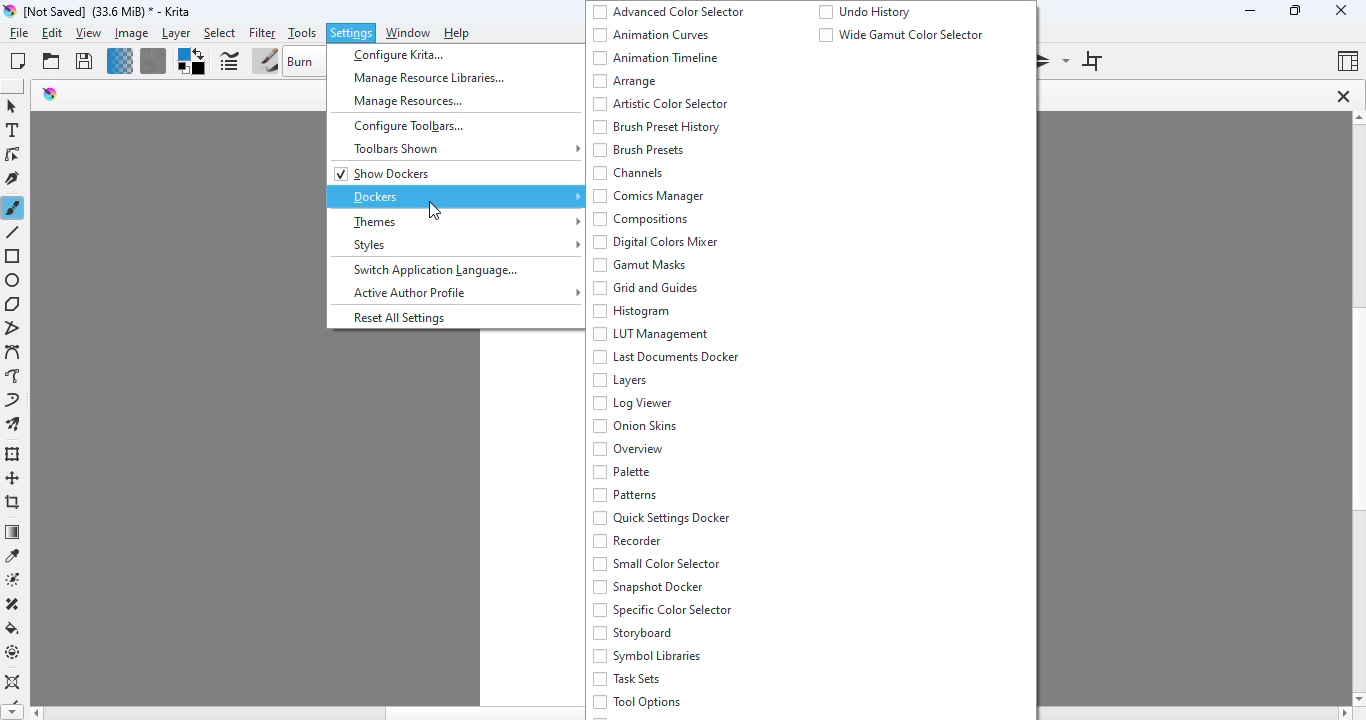 The image size is (1366, 720). What do you see at coordinates (176, 34) in the screenshot?
I see `layer` at bounding box center [176, 34].